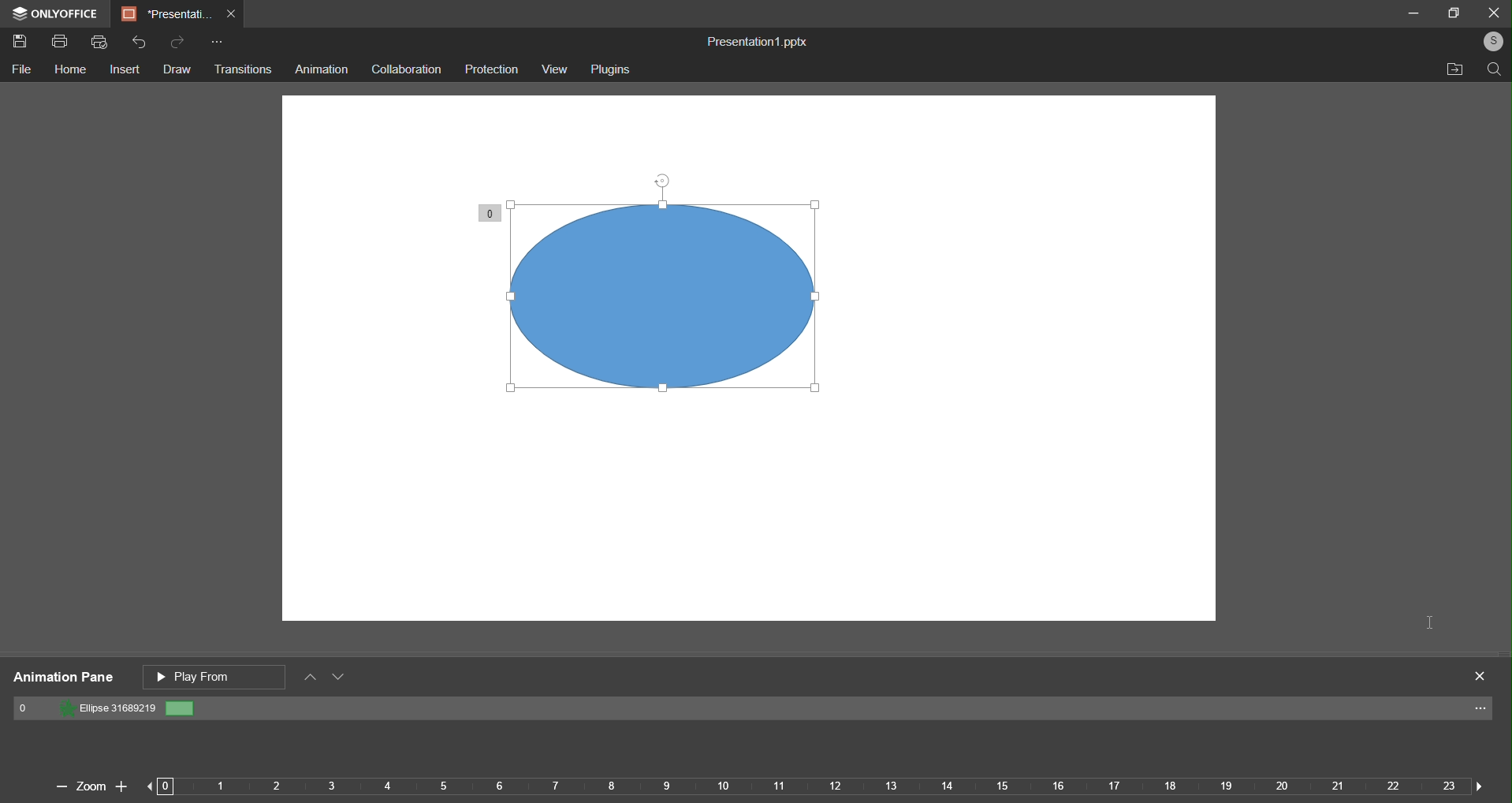 This screenshot has height=803, width=1512. Describe the element at coordinates (125, 71) in the screenshot. I see `insert` at that location.